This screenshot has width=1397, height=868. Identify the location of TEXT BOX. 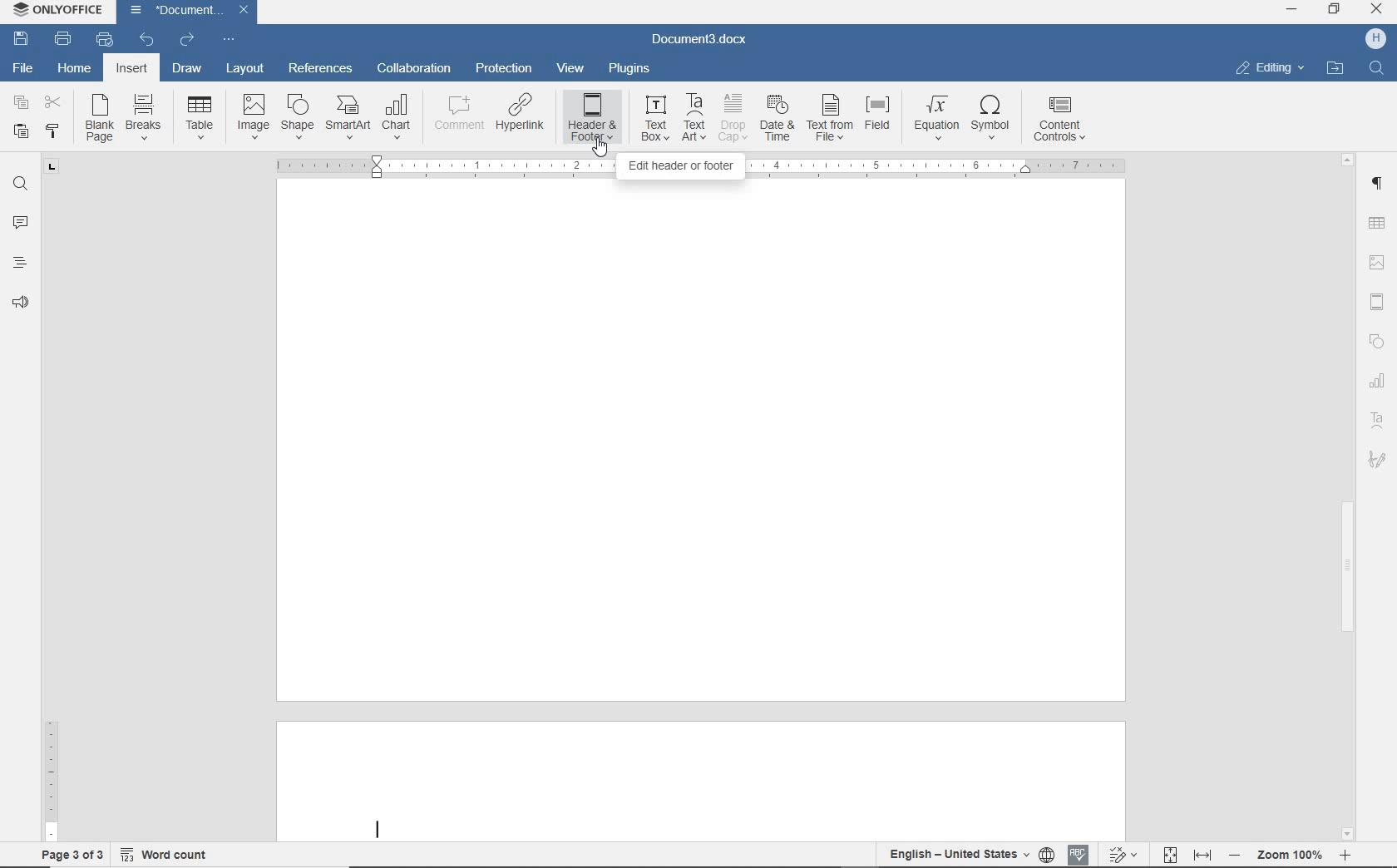
(654, 116).